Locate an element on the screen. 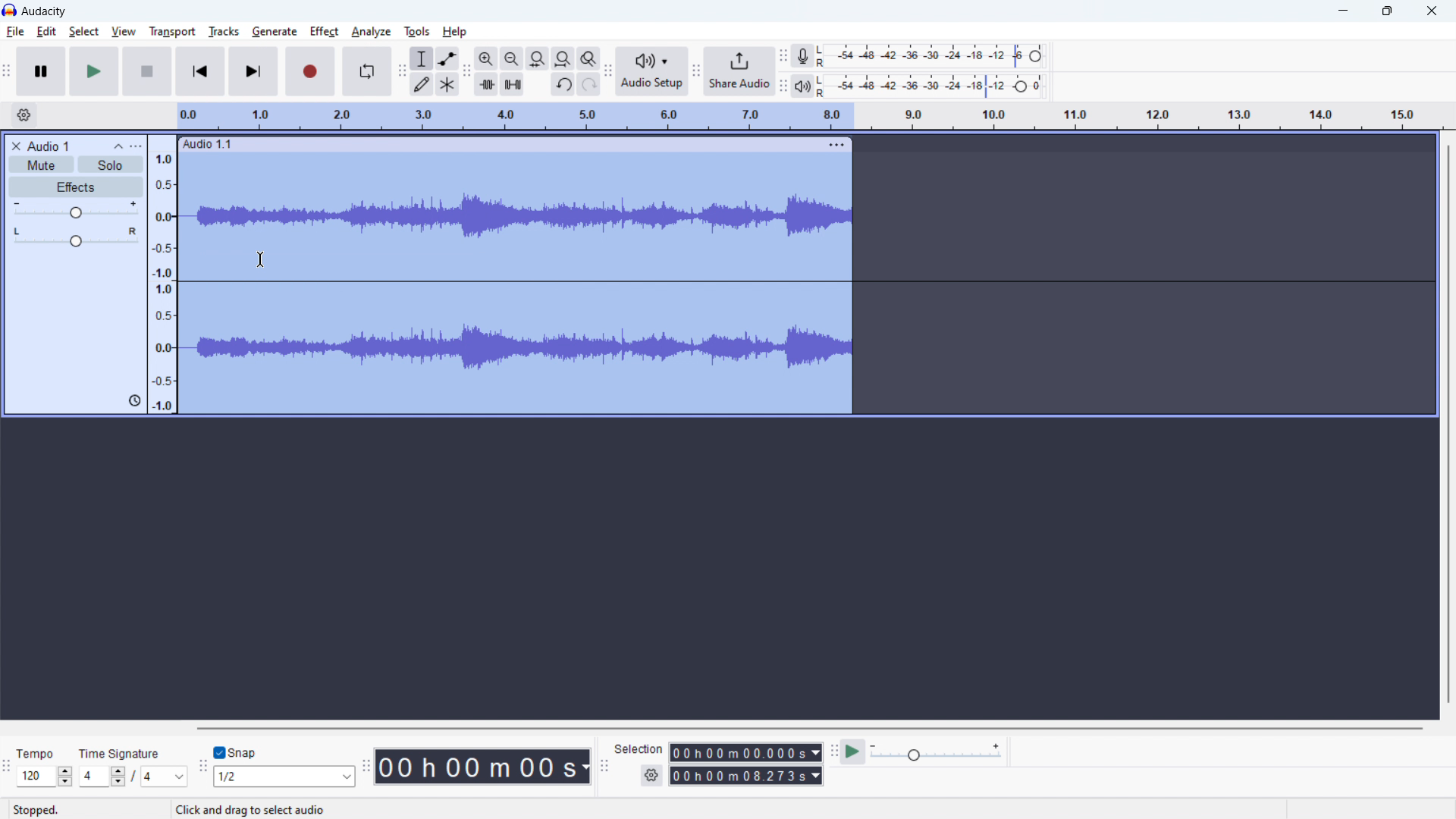 The image size is (1456, 819). minimize is located at coordinates (1341, 11).